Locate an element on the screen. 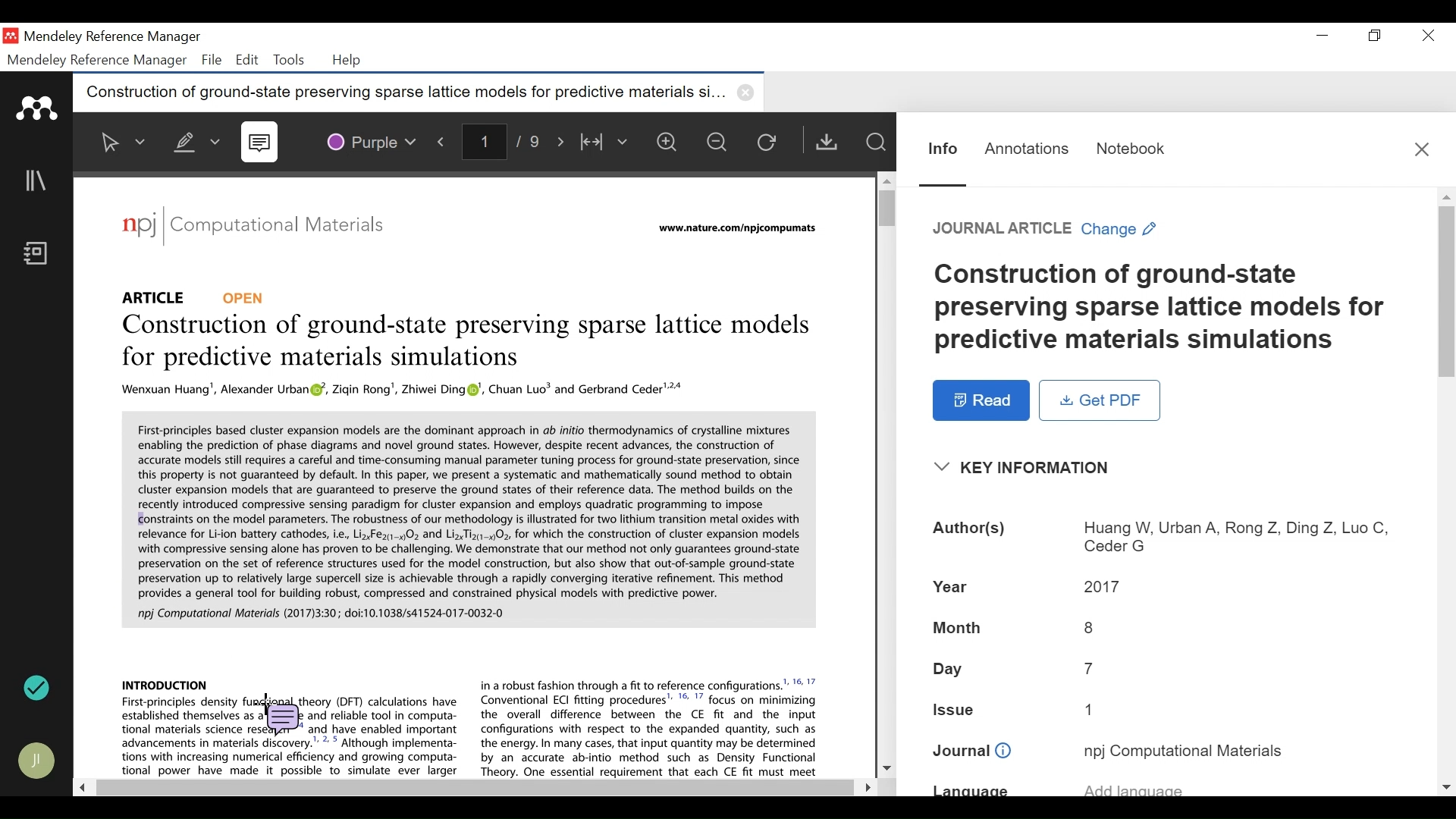 Image resolution: width=1456 pixels, height=819 pixels. Issue is located at coordinates (1166, 713).